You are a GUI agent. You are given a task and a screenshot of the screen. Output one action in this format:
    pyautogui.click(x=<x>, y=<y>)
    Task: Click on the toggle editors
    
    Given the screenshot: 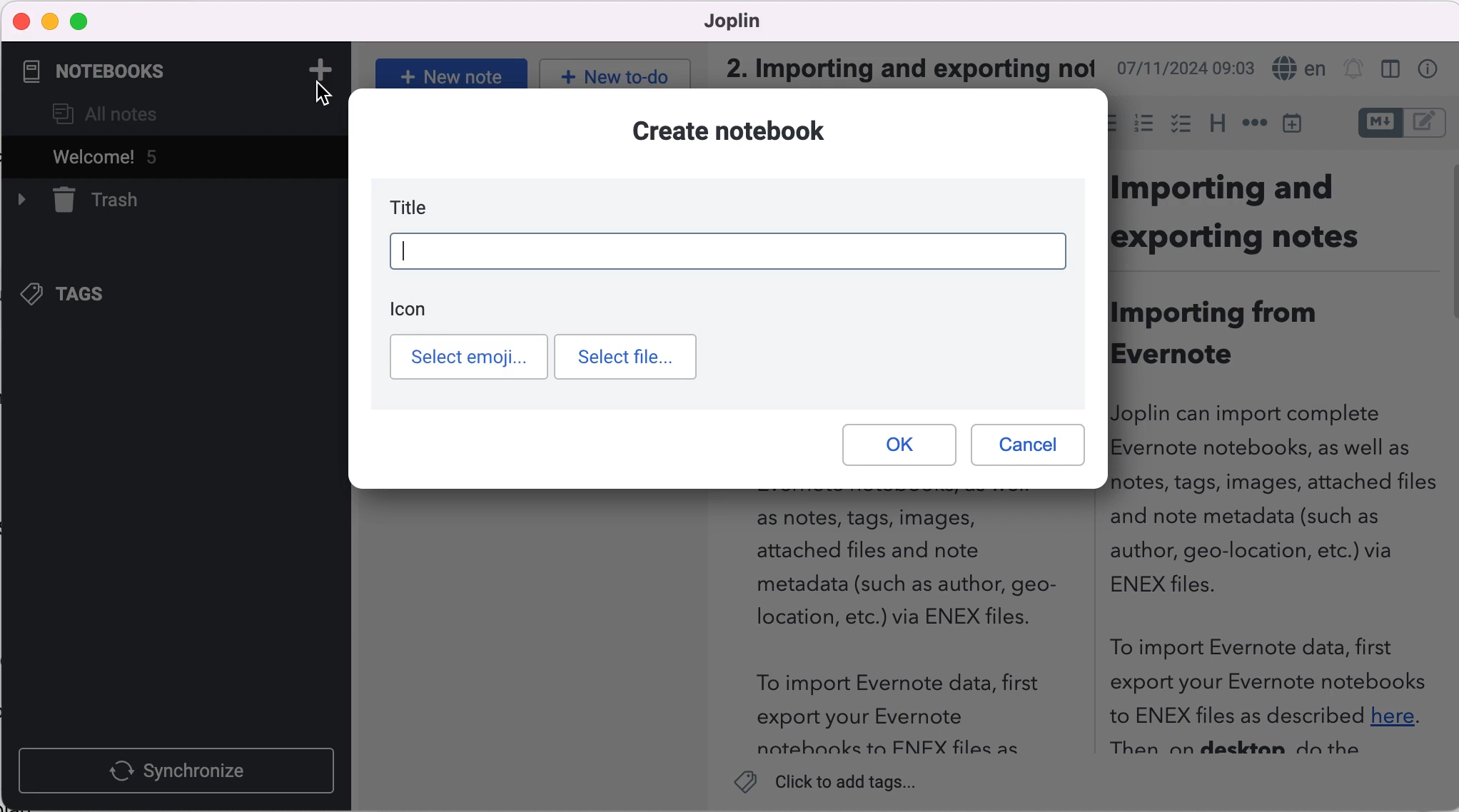 What is the action you would take?
    pyautogui.click(x=1402, y=125)
    